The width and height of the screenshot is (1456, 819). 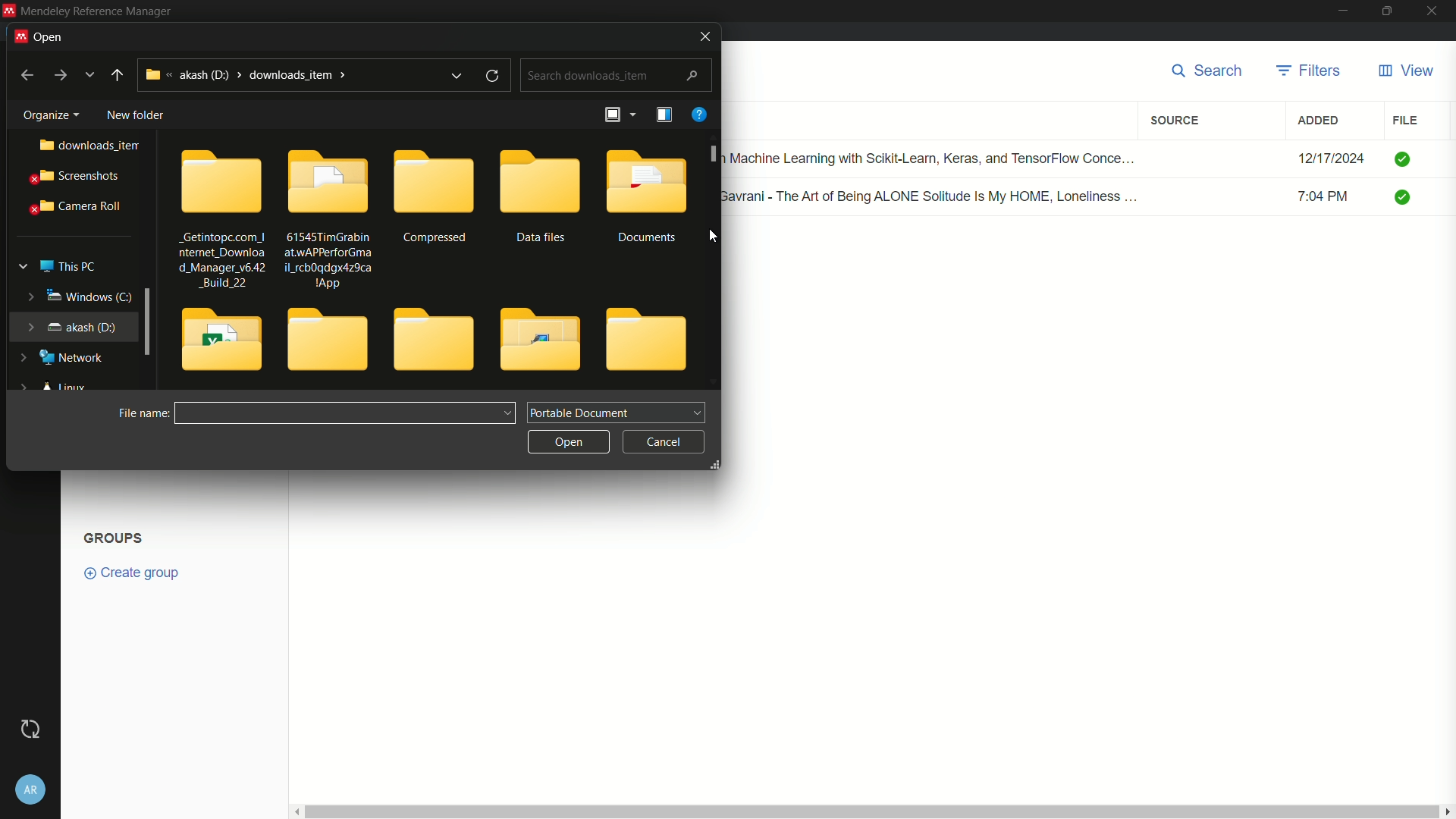 I want to click on Hands-on Machine Learning with Scikit-Learn, Keras, and TensorFlow Conce..., so click(x=937, y=155).